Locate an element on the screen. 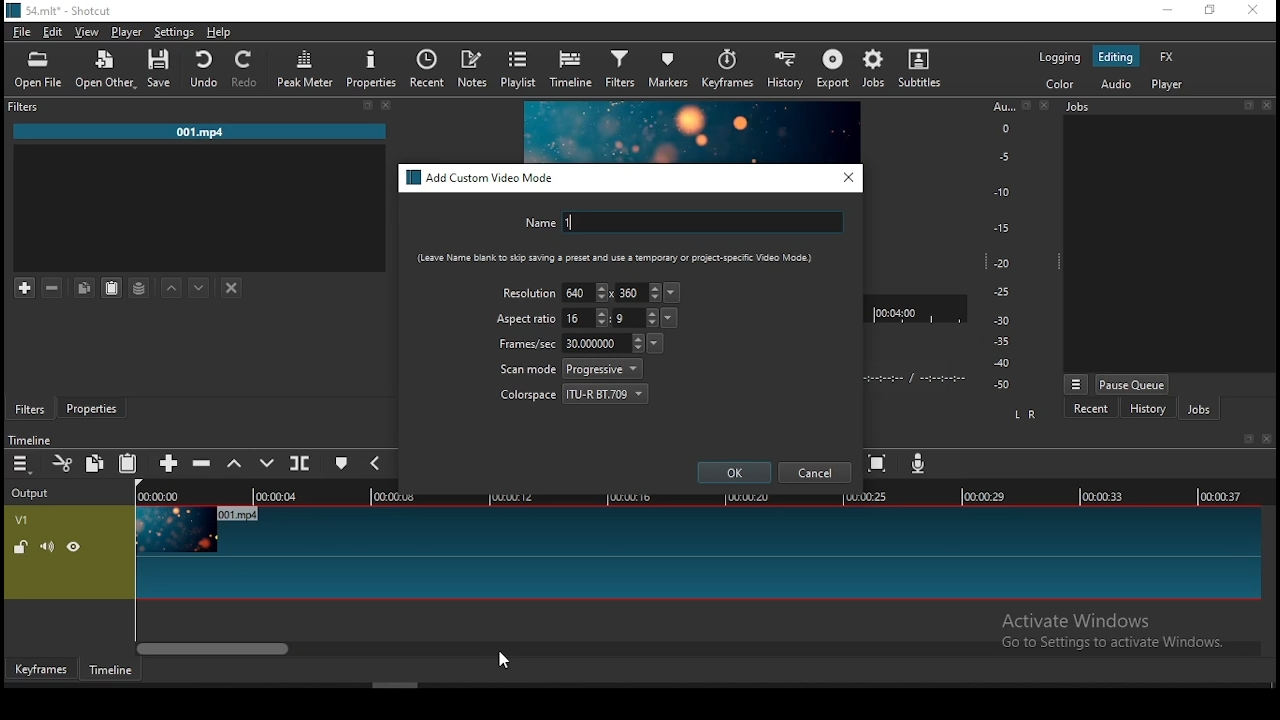 The height and width of the screenshot is (720, 1280). create/edit marker is located at coordinates (341, 466).